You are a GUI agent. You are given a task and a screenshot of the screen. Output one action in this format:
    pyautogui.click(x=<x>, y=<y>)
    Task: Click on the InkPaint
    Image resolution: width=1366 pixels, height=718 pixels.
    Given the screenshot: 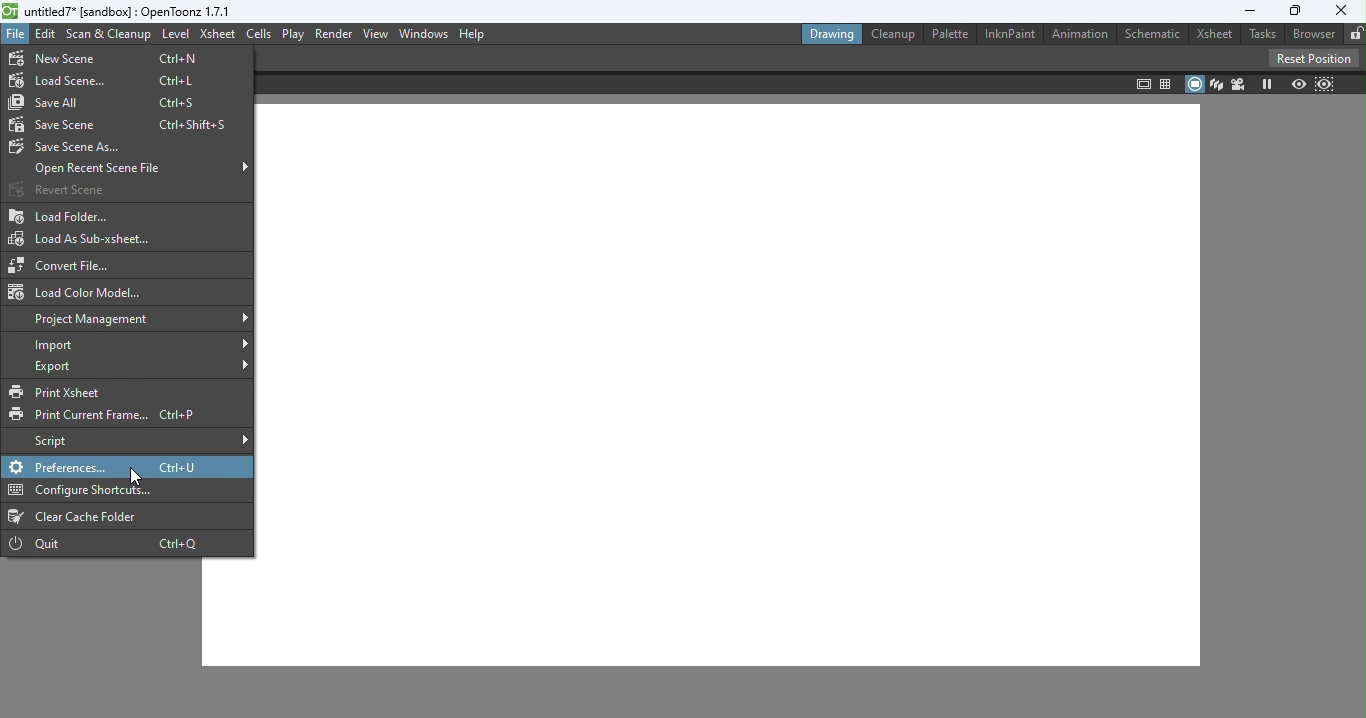 What is the action you would take?
    pyautogui.click(x=1011, y=34)
    